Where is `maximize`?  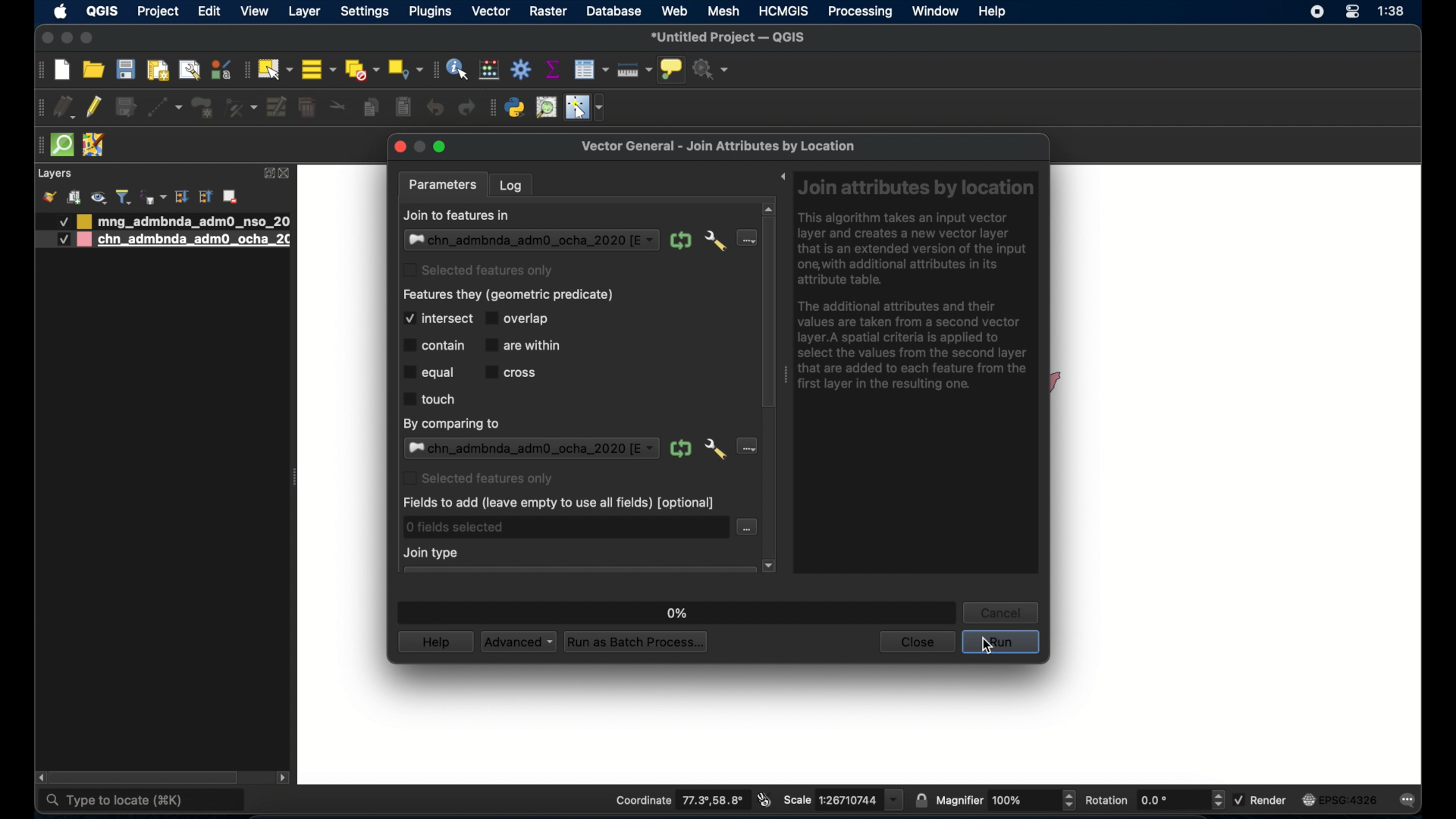 maximize is located at coordinates (442, 148).